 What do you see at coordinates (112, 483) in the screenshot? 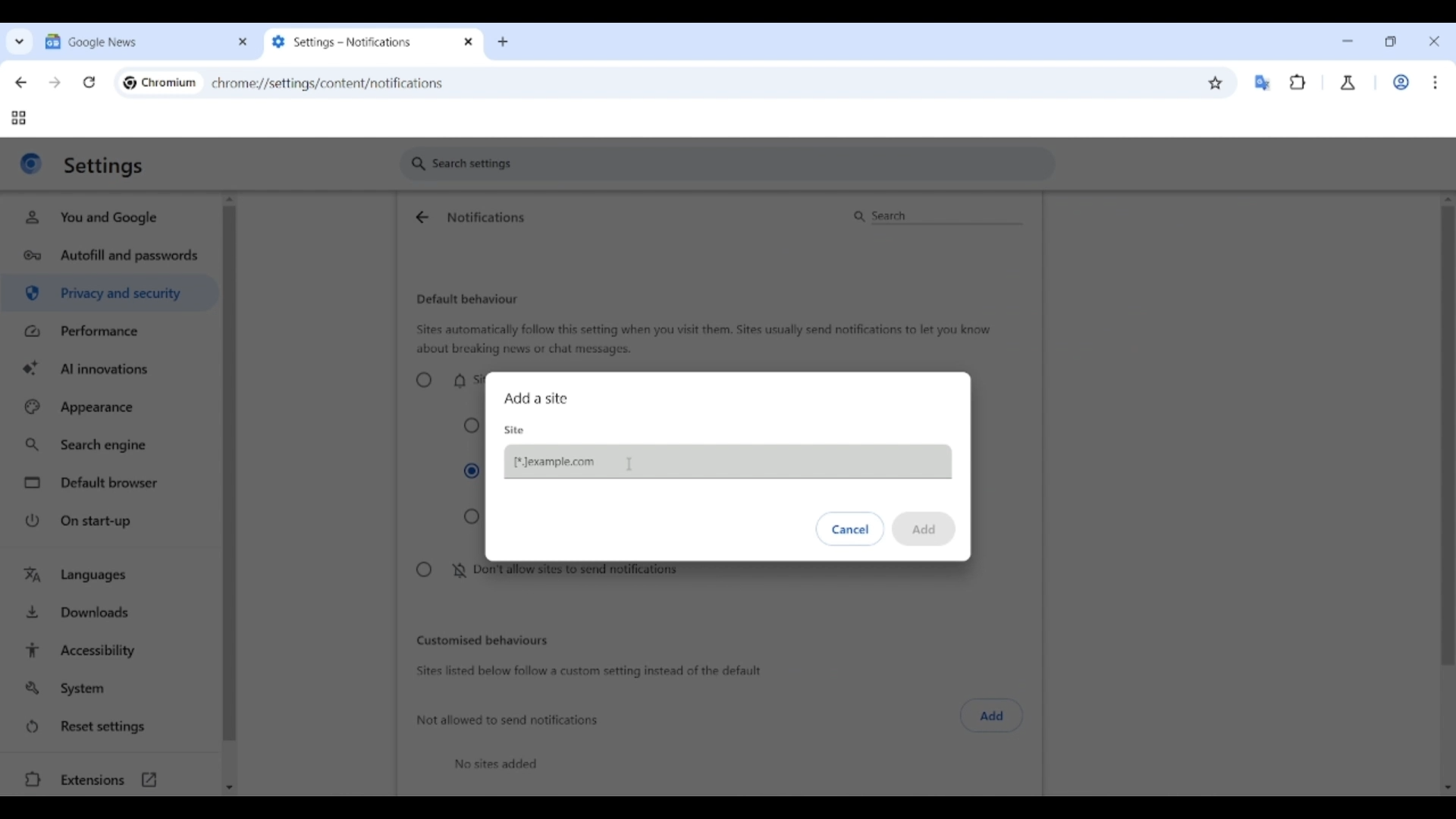
I see `Default browser` at bounding box center [112, 483].